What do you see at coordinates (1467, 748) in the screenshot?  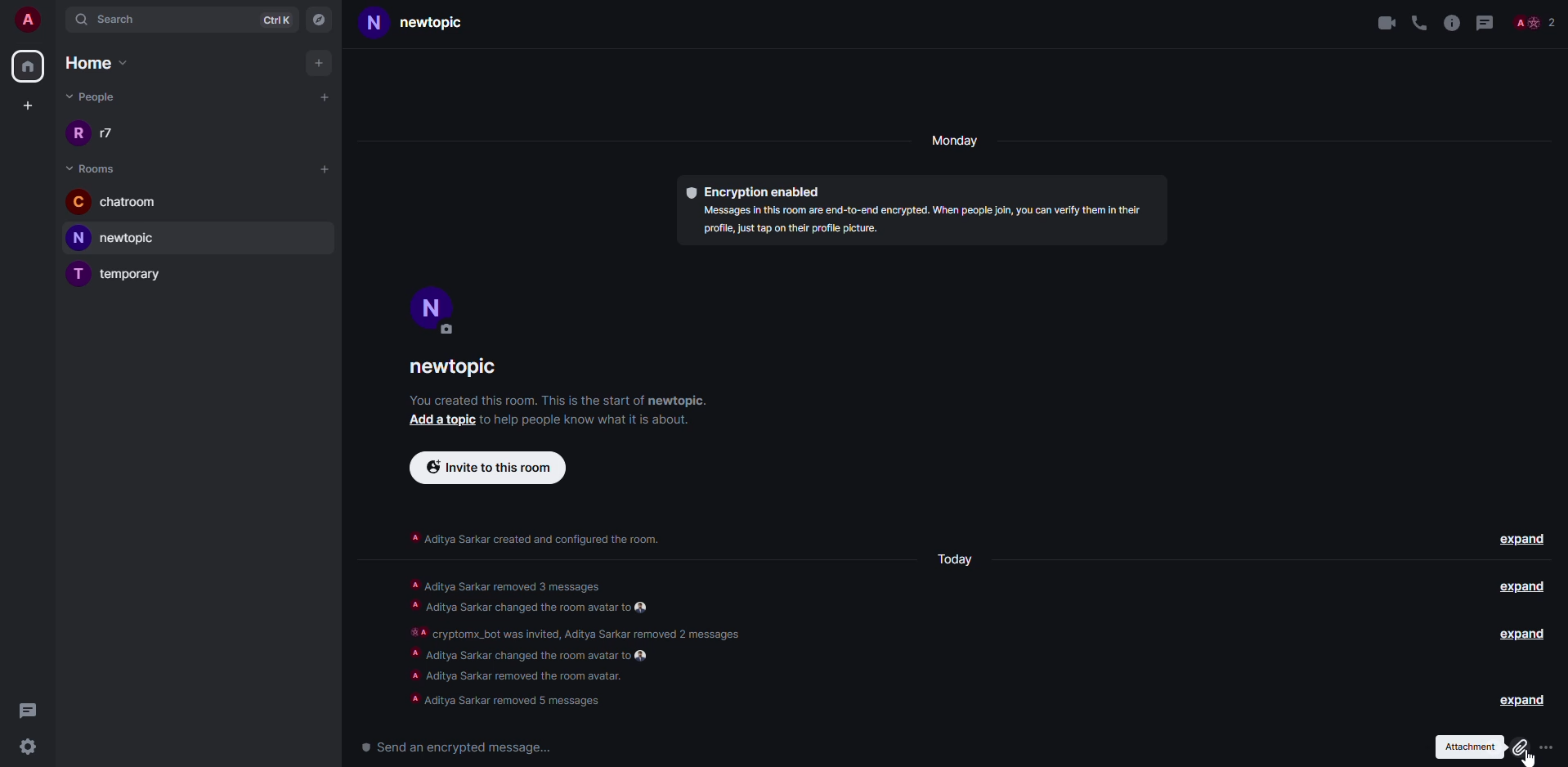 I see `attachment` at bounding box center [1467, 748].